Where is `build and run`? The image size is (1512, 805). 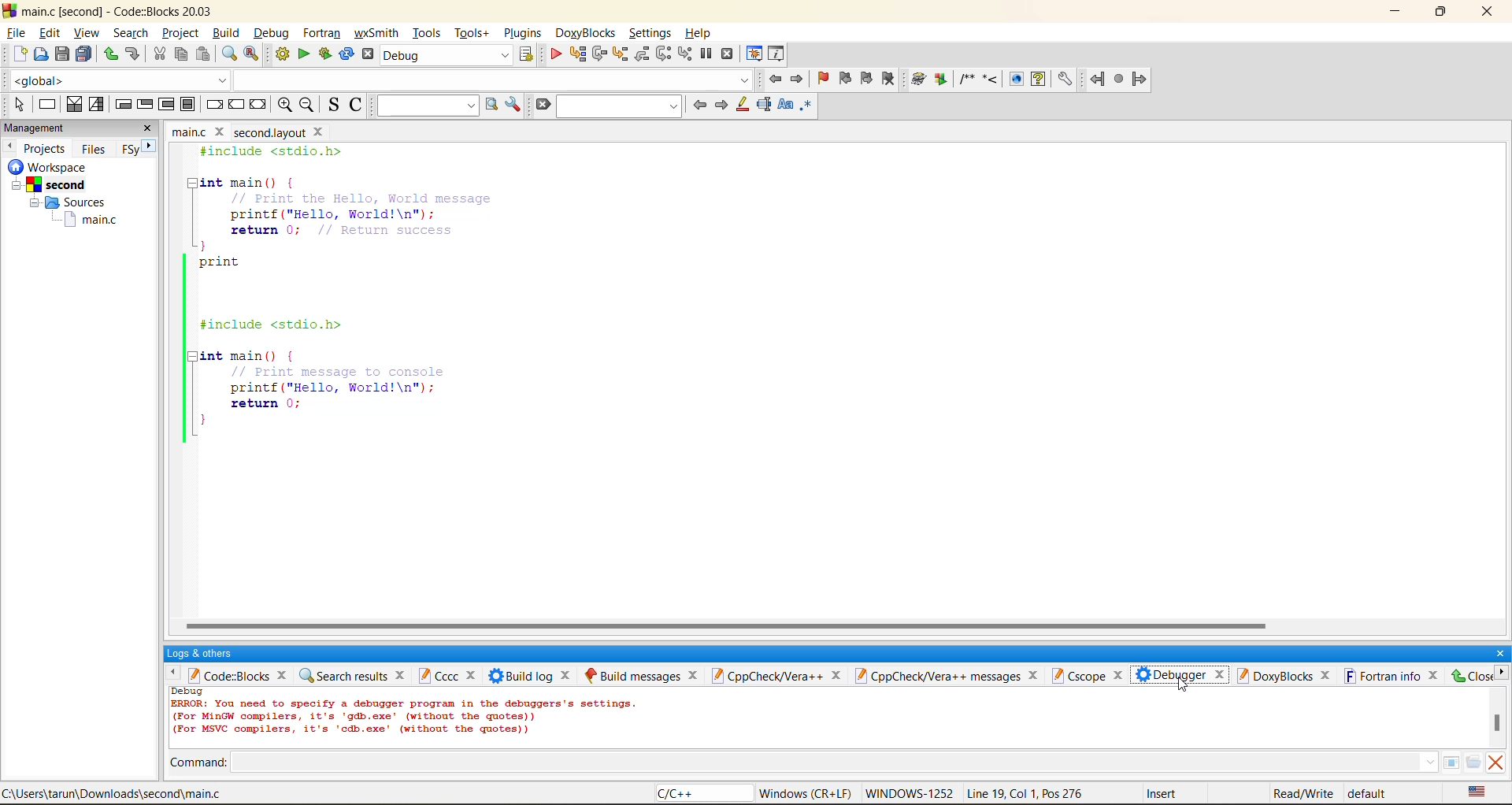 build and run is located at coordinates (327, 54).